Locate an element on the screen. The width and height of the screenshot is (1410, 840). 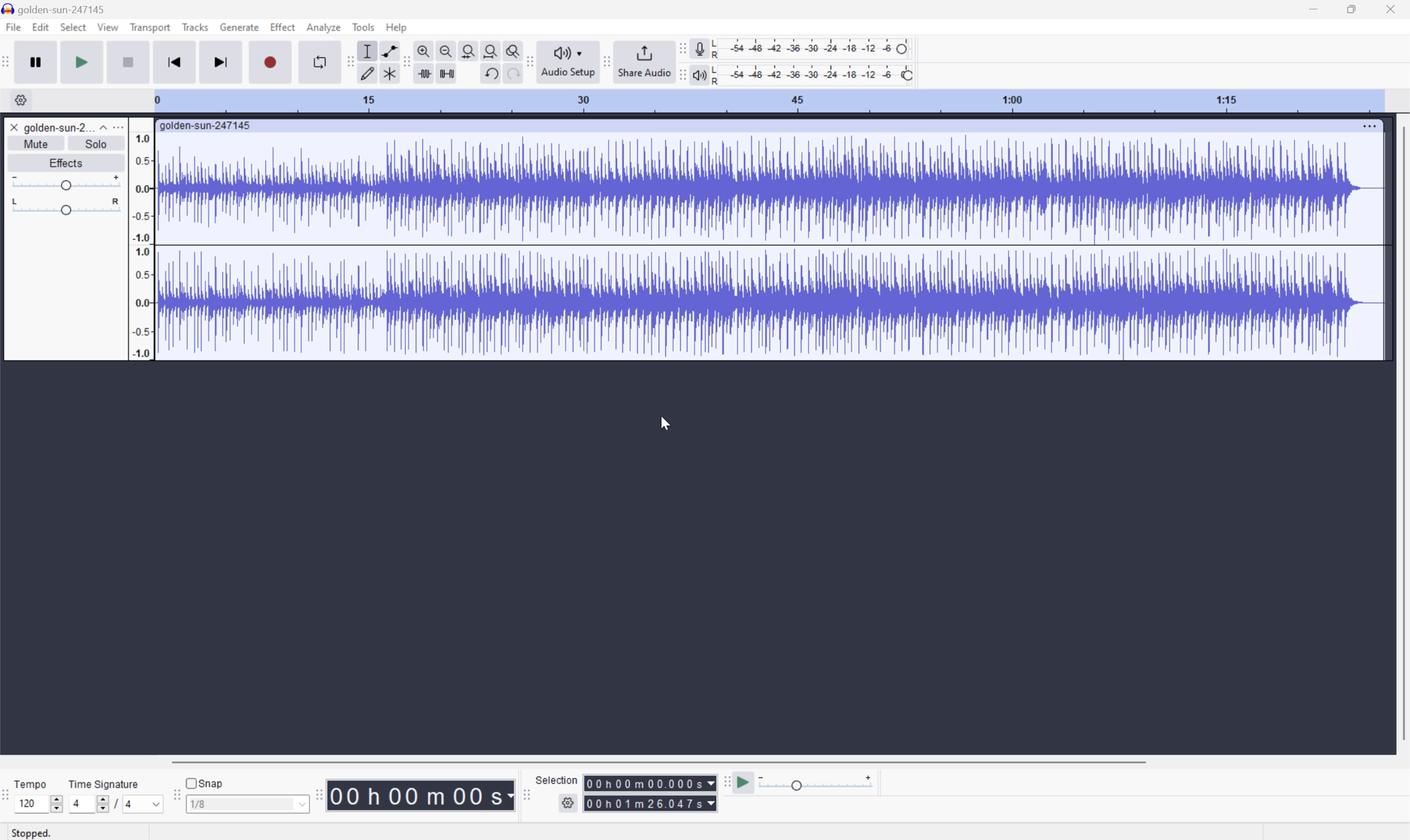
Frequencies is located at coordinates (141, 246).